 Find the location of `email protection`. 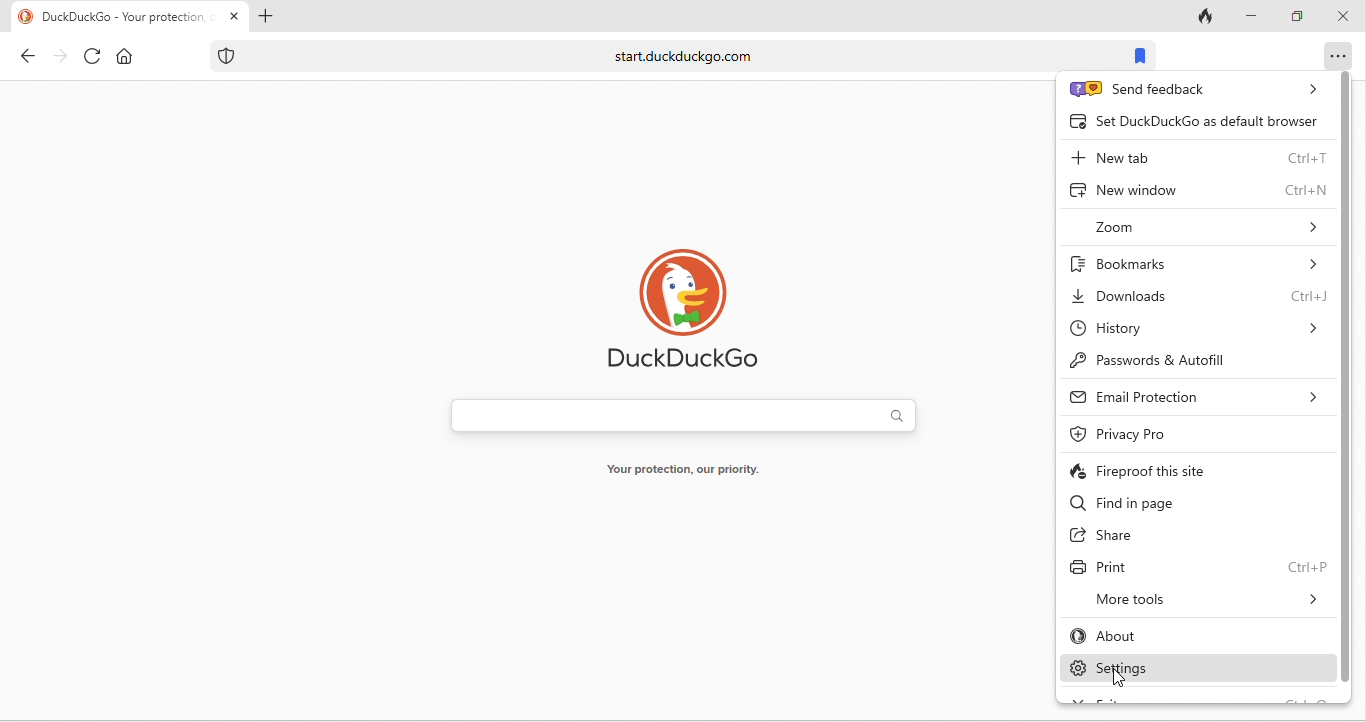

email protection is located at coordinates (1195, 398).